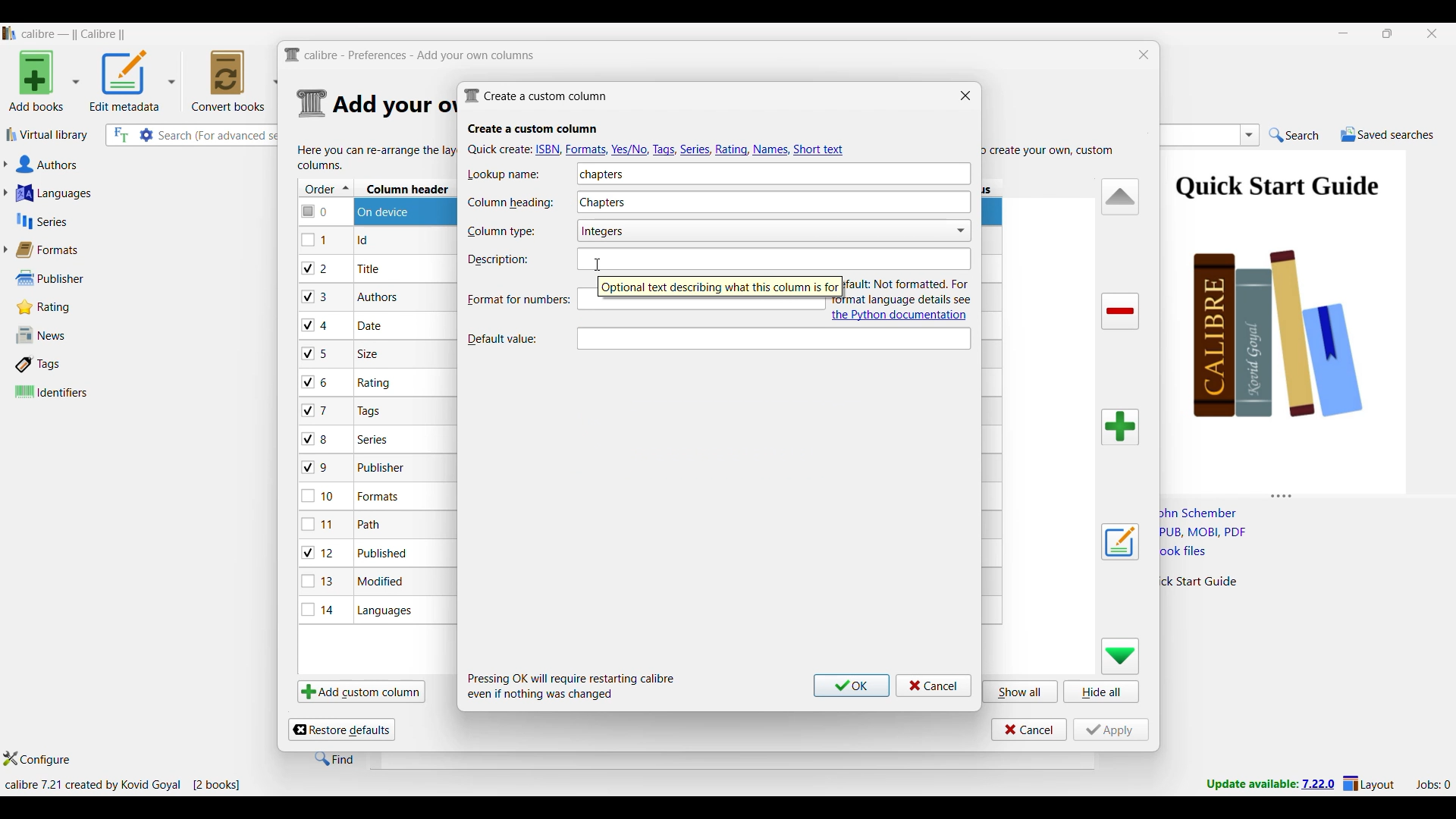  What do you see at coordinates (926, 231) in the screenshot?
I see `Toggle for Show checkmarks` at bounding box center [926, 231].